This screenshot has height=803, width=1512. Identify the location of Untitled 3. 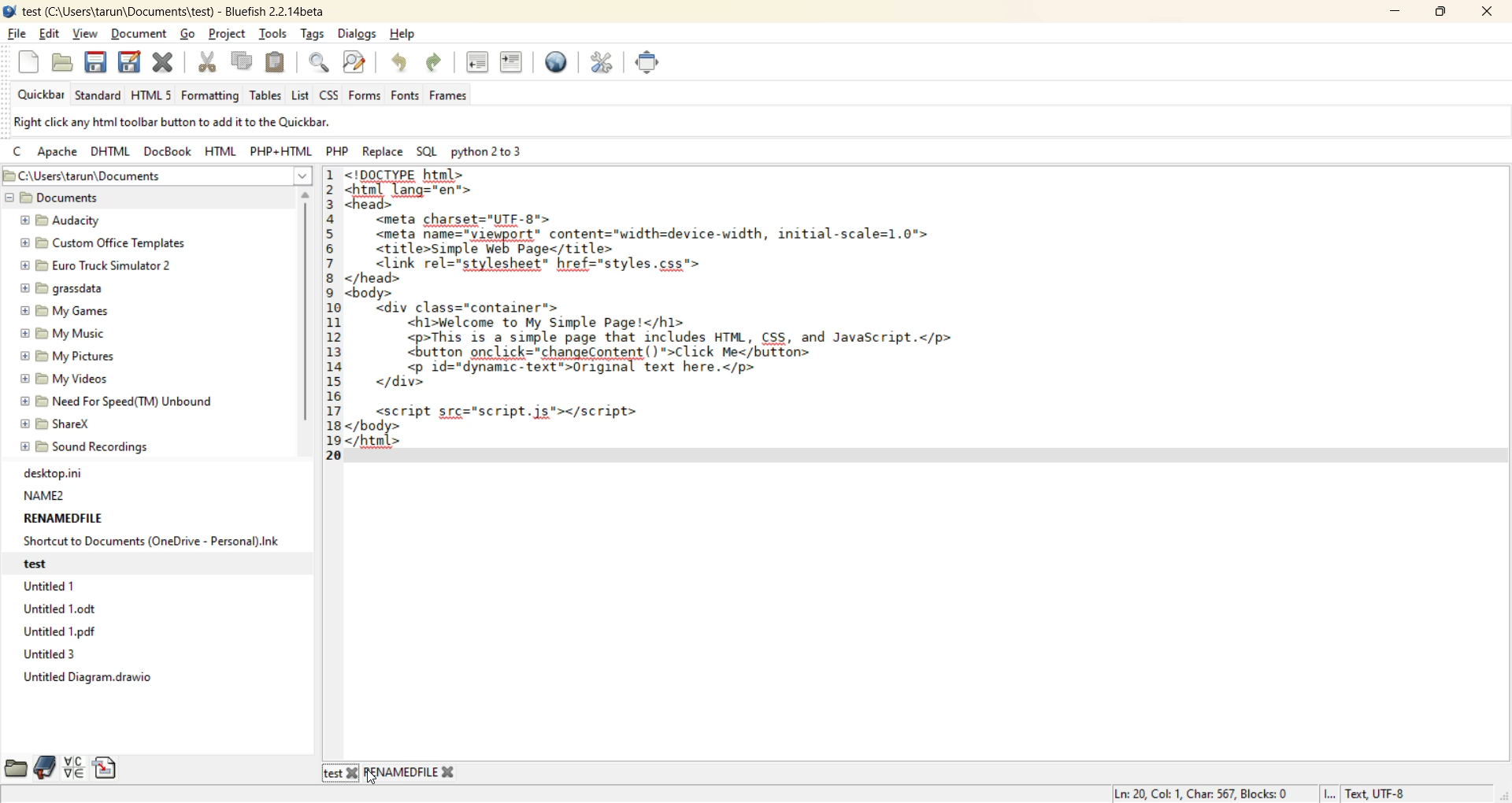
(54, 655).